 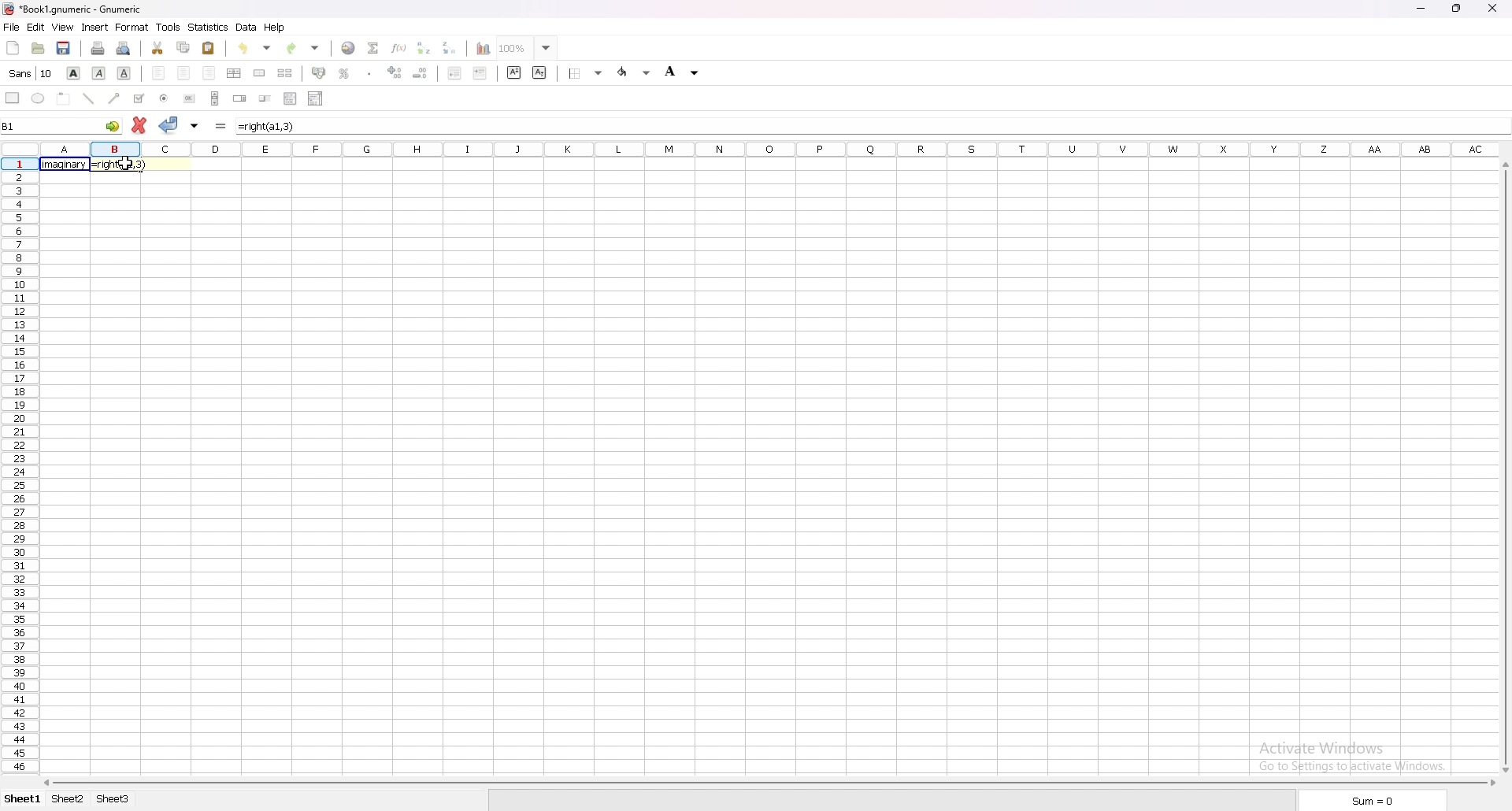 I want to click on sort ascending, so click(x=425, y=48).